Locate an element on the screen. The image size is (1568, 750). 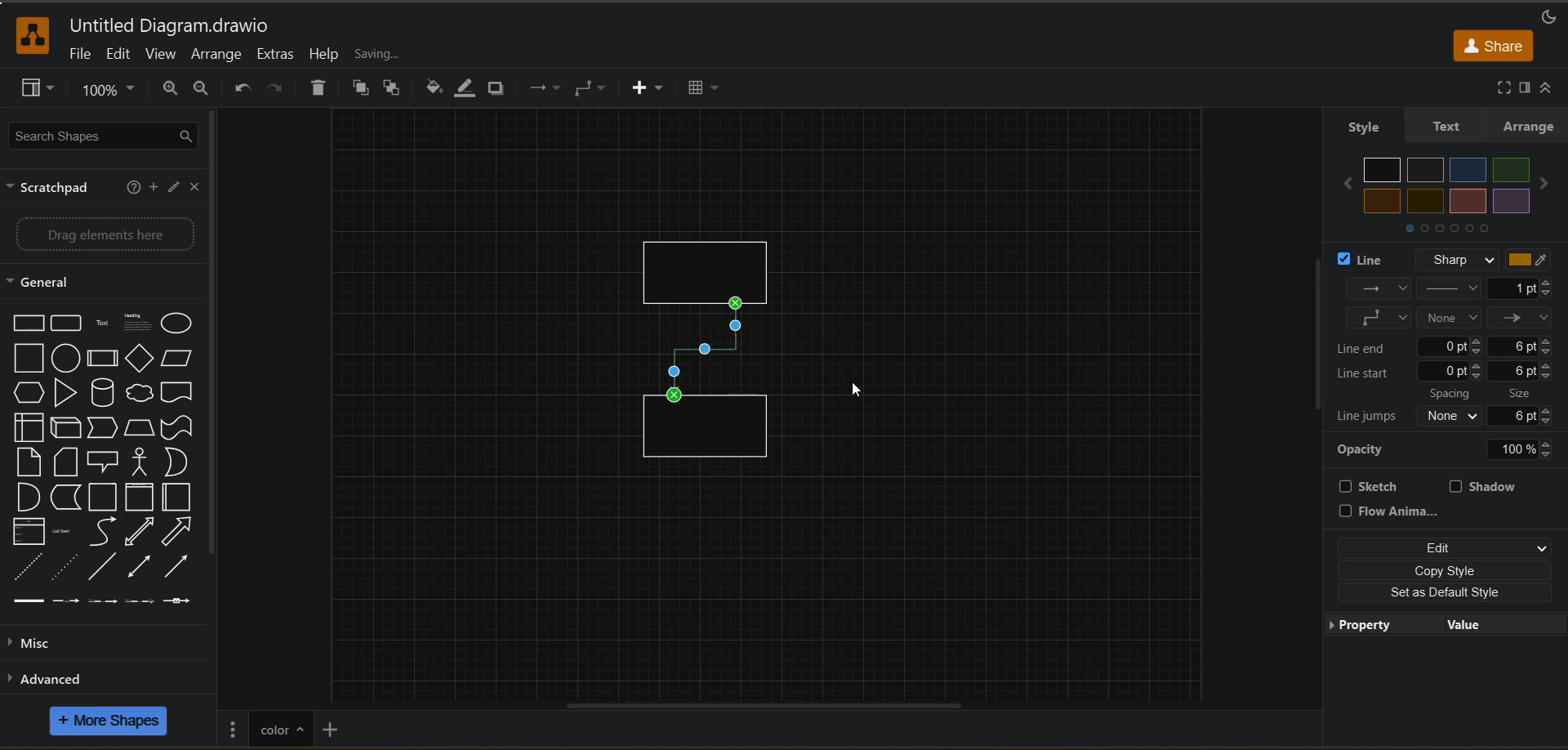
edit is located at coordinates (176, 189).